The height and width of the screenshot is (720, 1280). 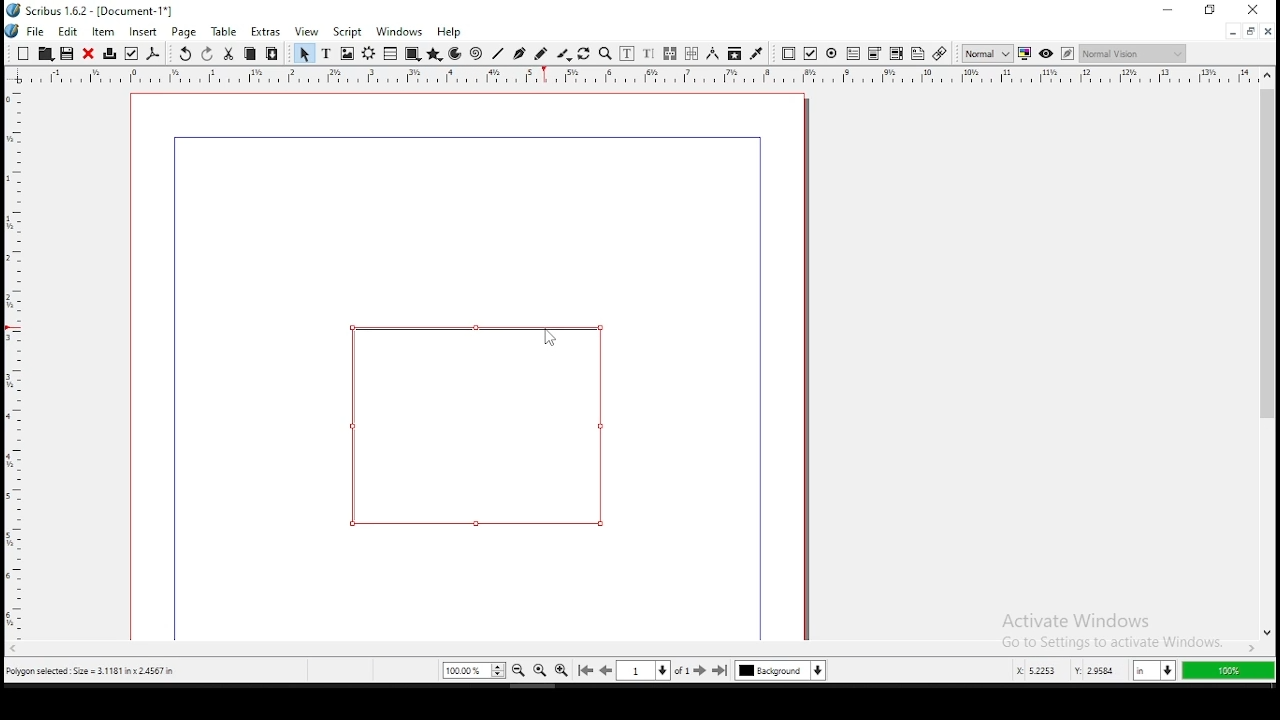 I want to click on restore, so click(x=1251, y=32).